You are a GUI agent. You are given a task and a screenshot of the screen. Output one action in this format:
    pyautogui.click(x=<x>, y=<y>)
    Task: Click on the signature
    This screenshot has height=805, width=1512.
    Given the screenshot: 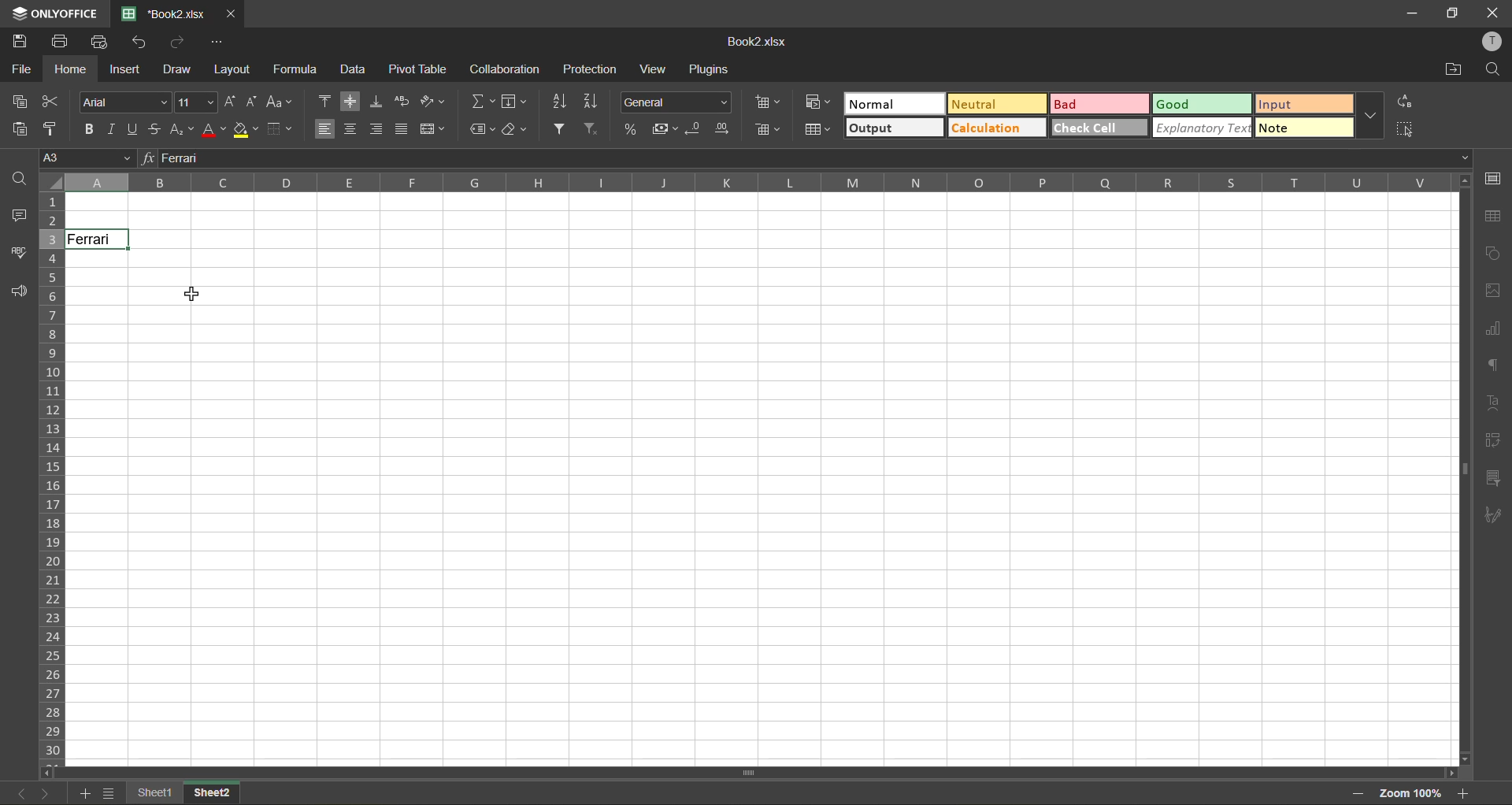 What is the action you would take?
    pyautogui.click(x=1494, y=512)
    